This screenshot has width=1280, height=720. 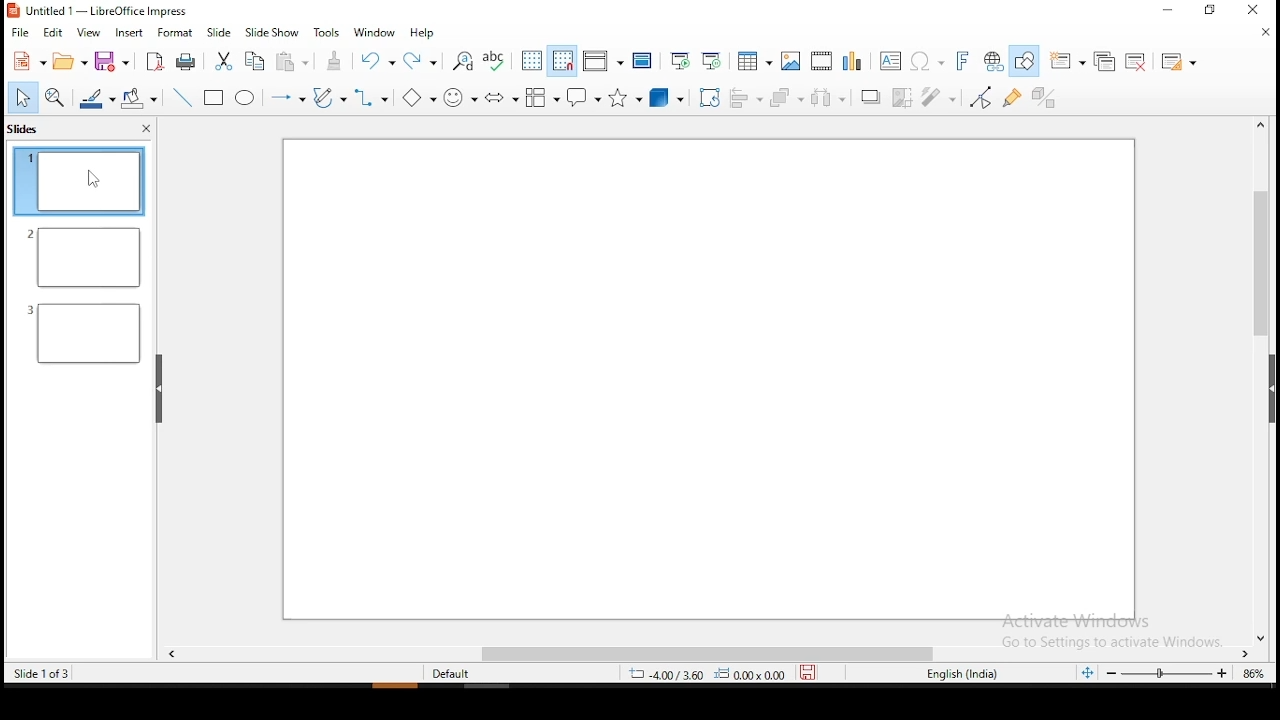 I want to click on save, so click(x=808, y=674).